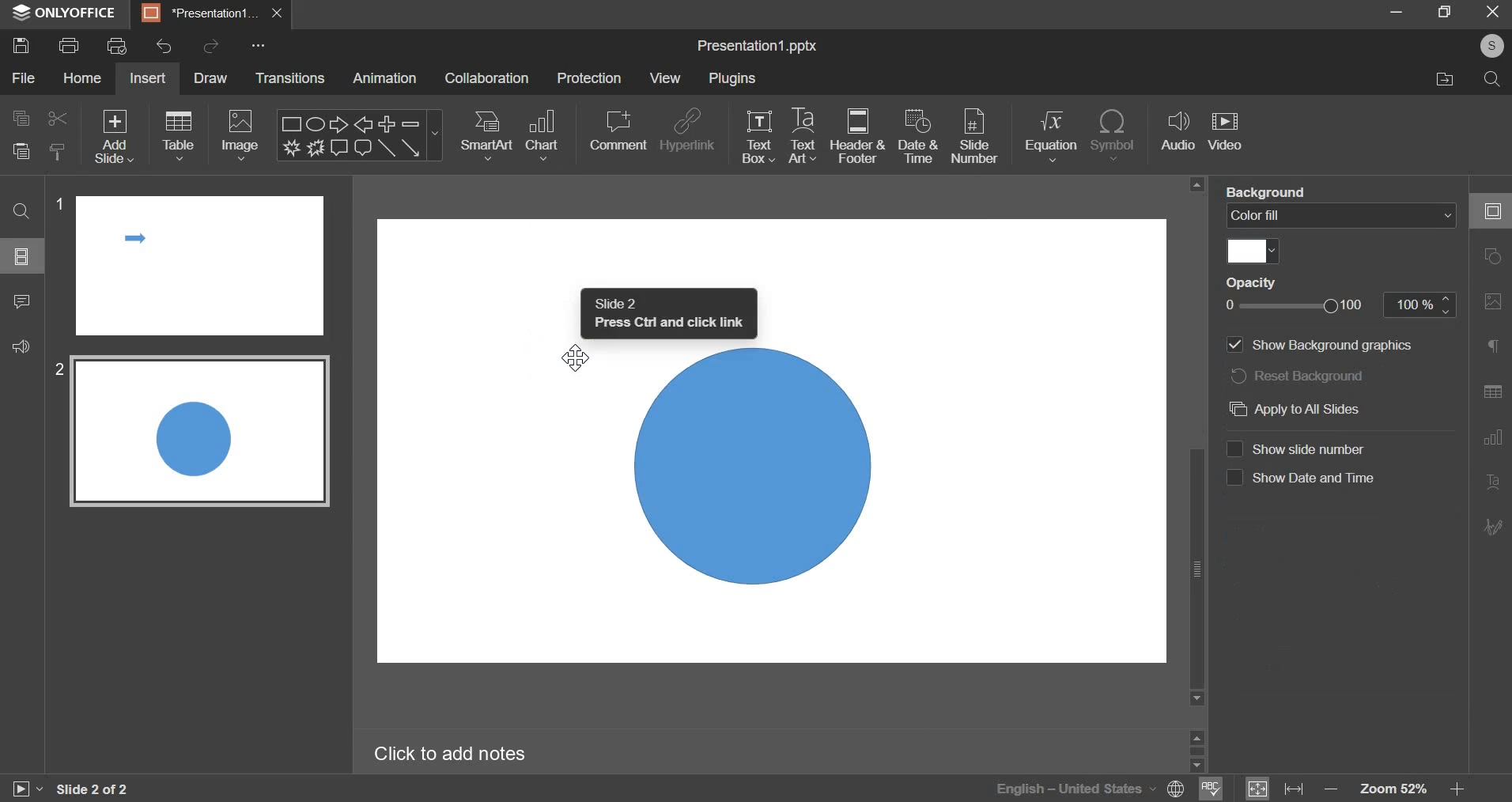 Image resolution: width=1512 pixels, height=802 pixels. What do you see at coordinates (291, 123) in the screenshot?
I see `Rectangle` at bounding box center [291, 123].